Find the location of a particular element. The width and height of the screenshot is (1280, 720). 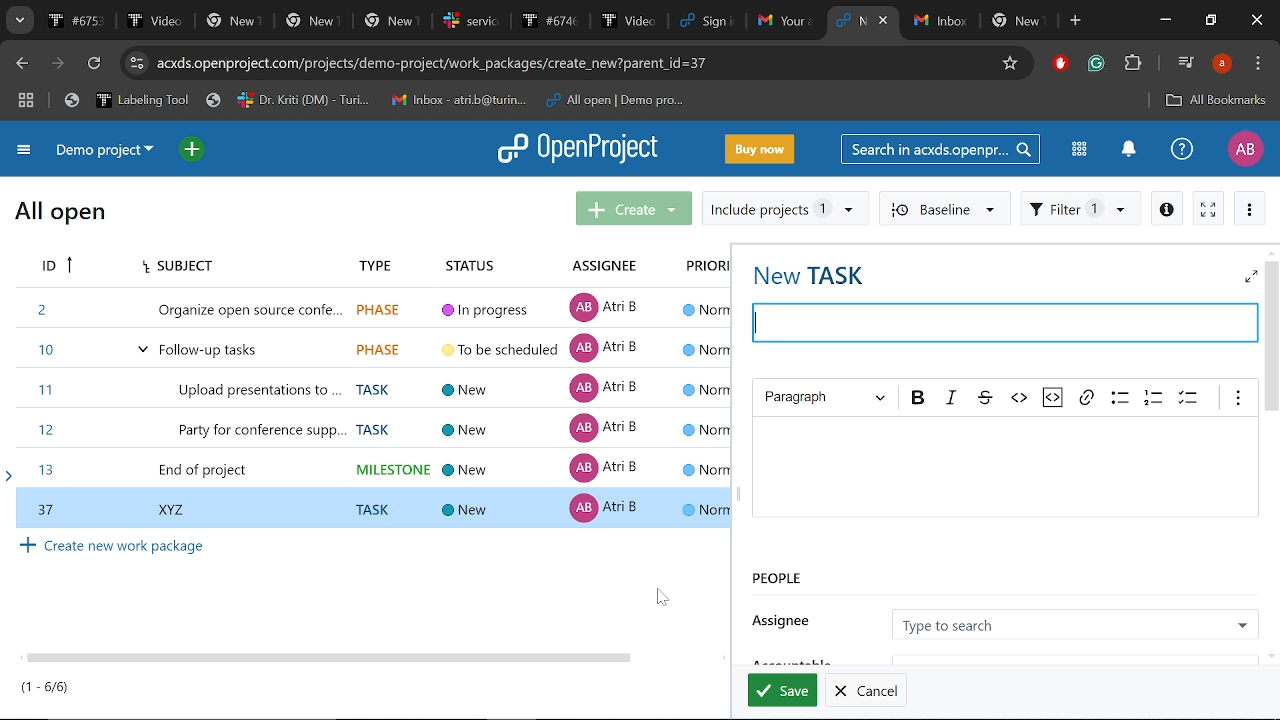

Bookmarks is located at coordinates (374, 101).